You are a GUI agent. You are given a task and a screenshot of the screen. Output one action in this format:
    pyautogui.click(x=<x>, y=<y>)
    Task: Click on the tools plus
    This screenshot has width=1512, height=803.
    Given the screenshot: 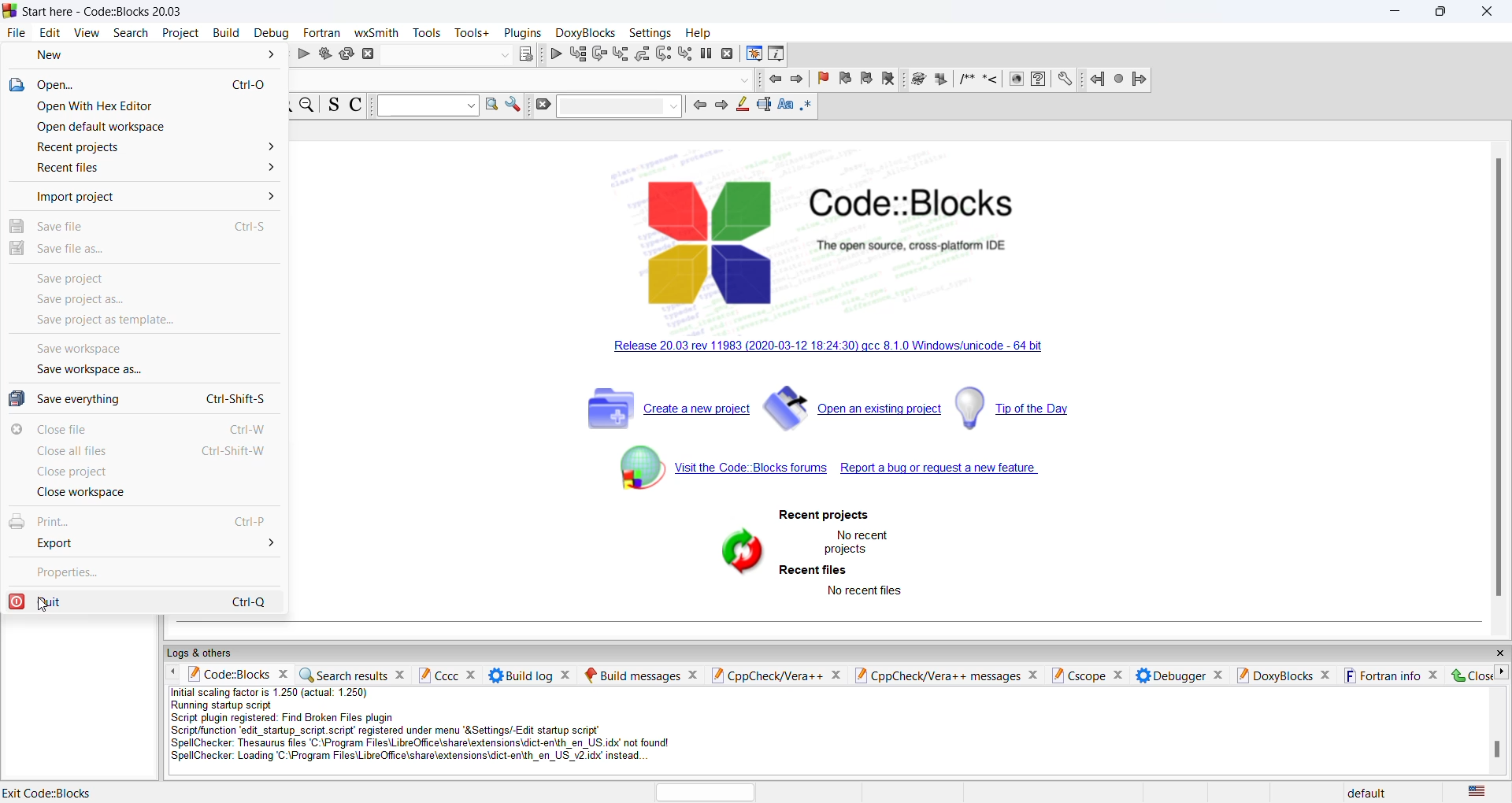 What is the action you would take?
    pyautogui.click(x=472, y=33)
    